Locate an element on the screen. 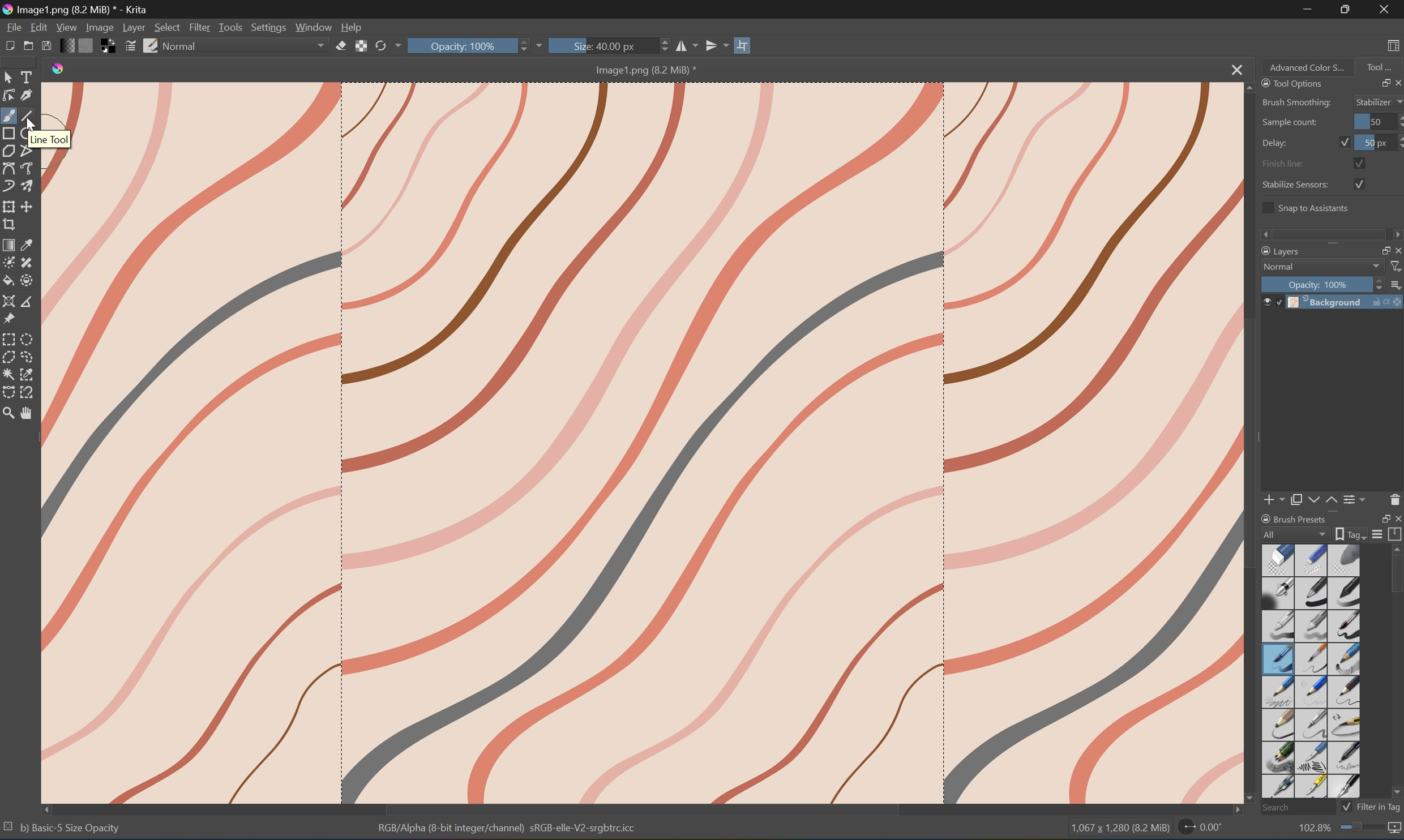 The image size is (1404, 840). Search is located at coordinates (1294, 807).